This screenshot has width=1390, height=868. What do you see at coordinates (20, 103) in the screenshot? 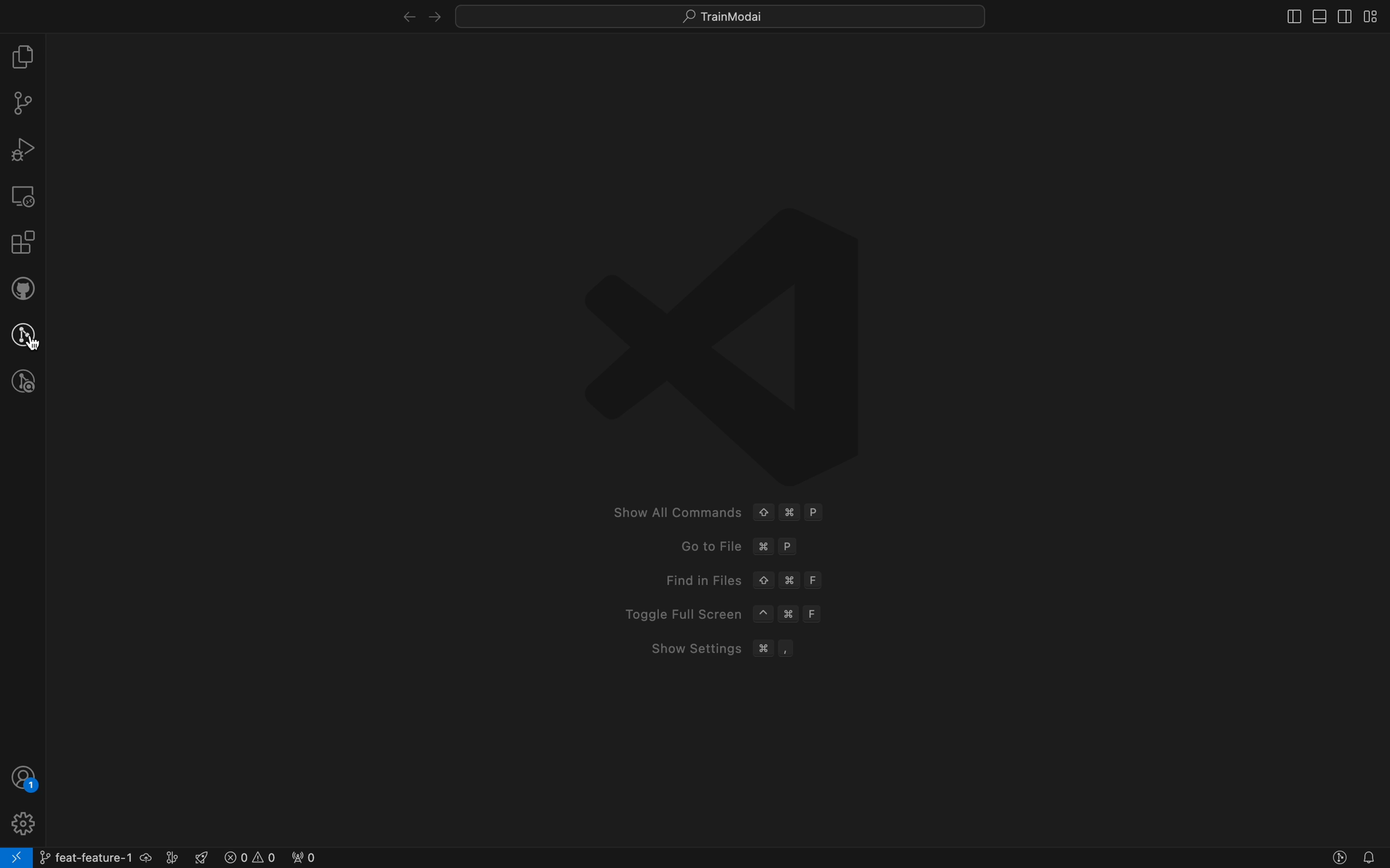
I see `git pannel` at bounding box center [20, 103].